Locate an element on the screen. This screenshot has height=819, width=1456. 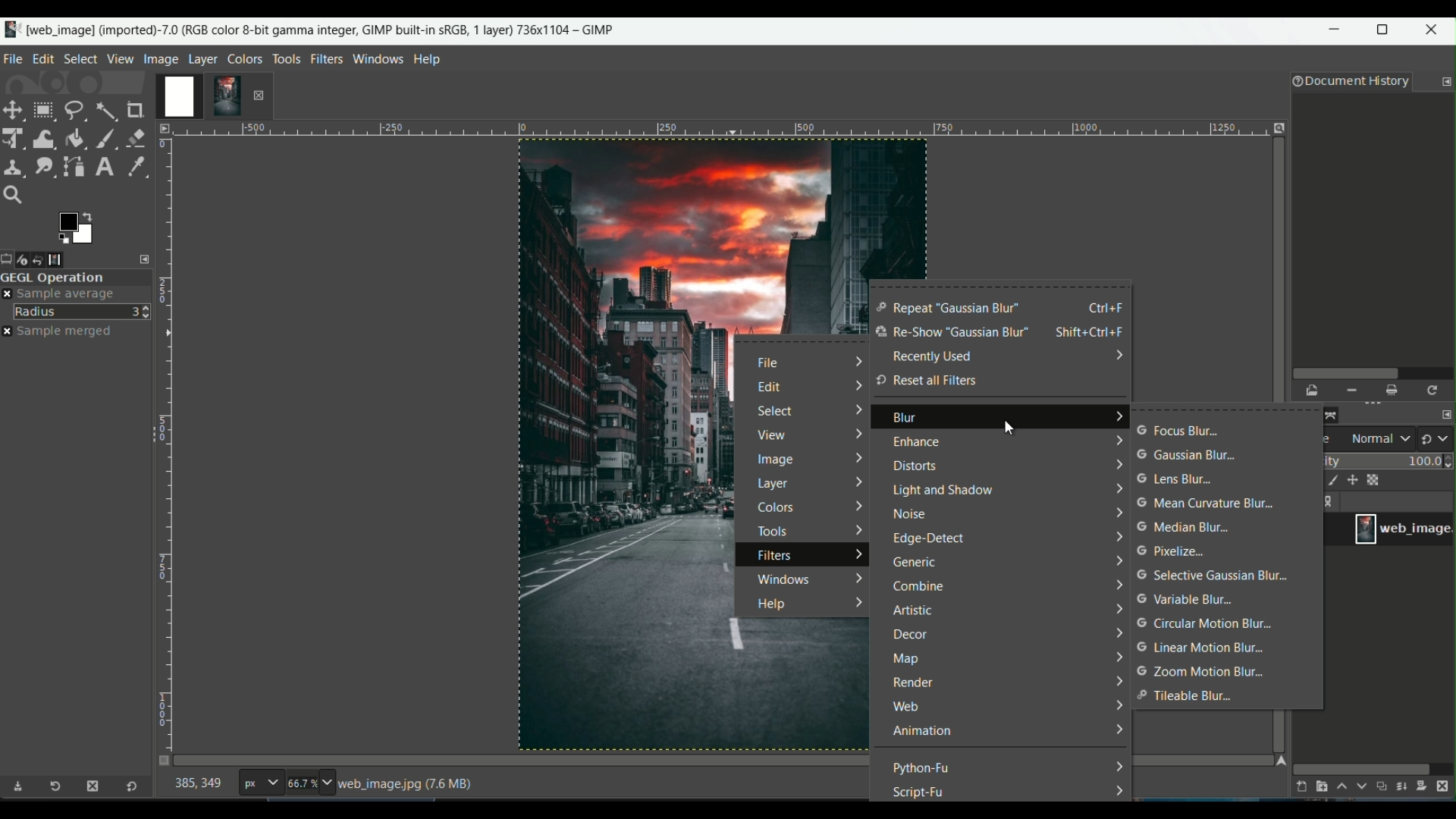
crop tool is located at coordinates (137, 110).